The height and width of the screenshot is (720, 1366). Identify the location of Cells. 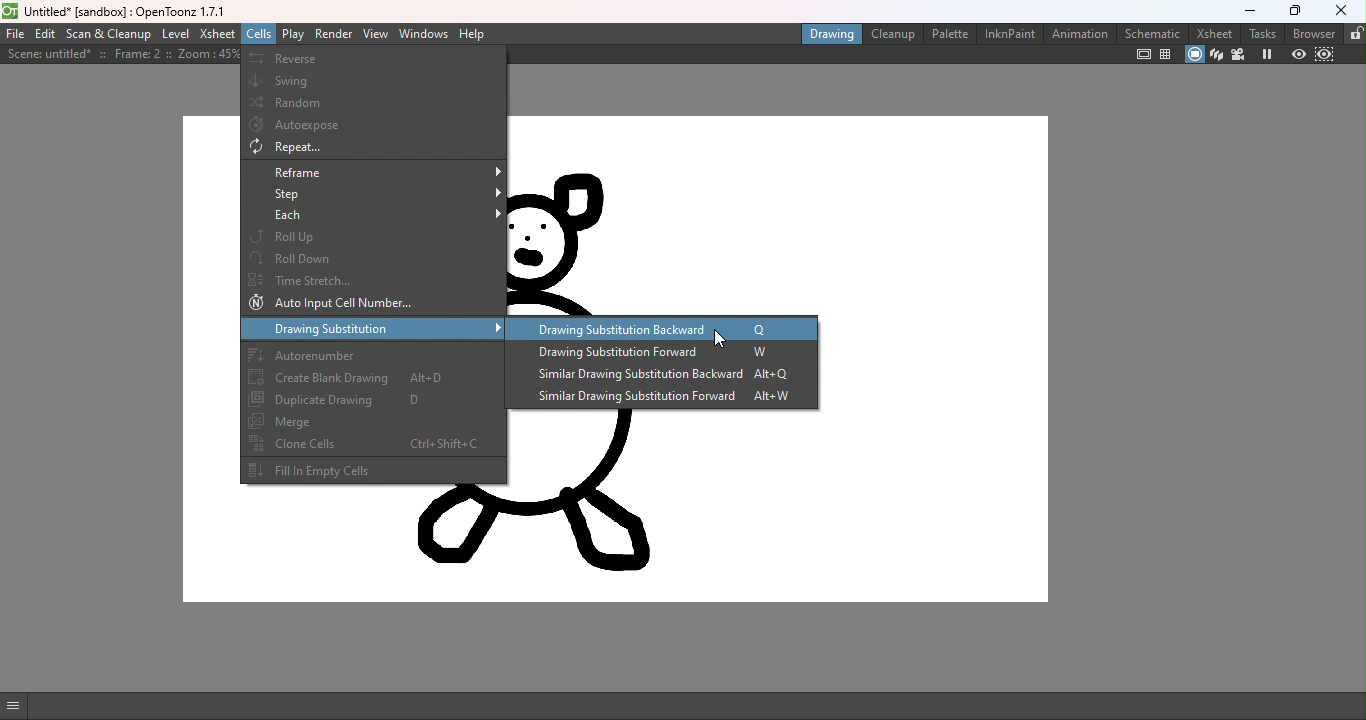
(257, 33).